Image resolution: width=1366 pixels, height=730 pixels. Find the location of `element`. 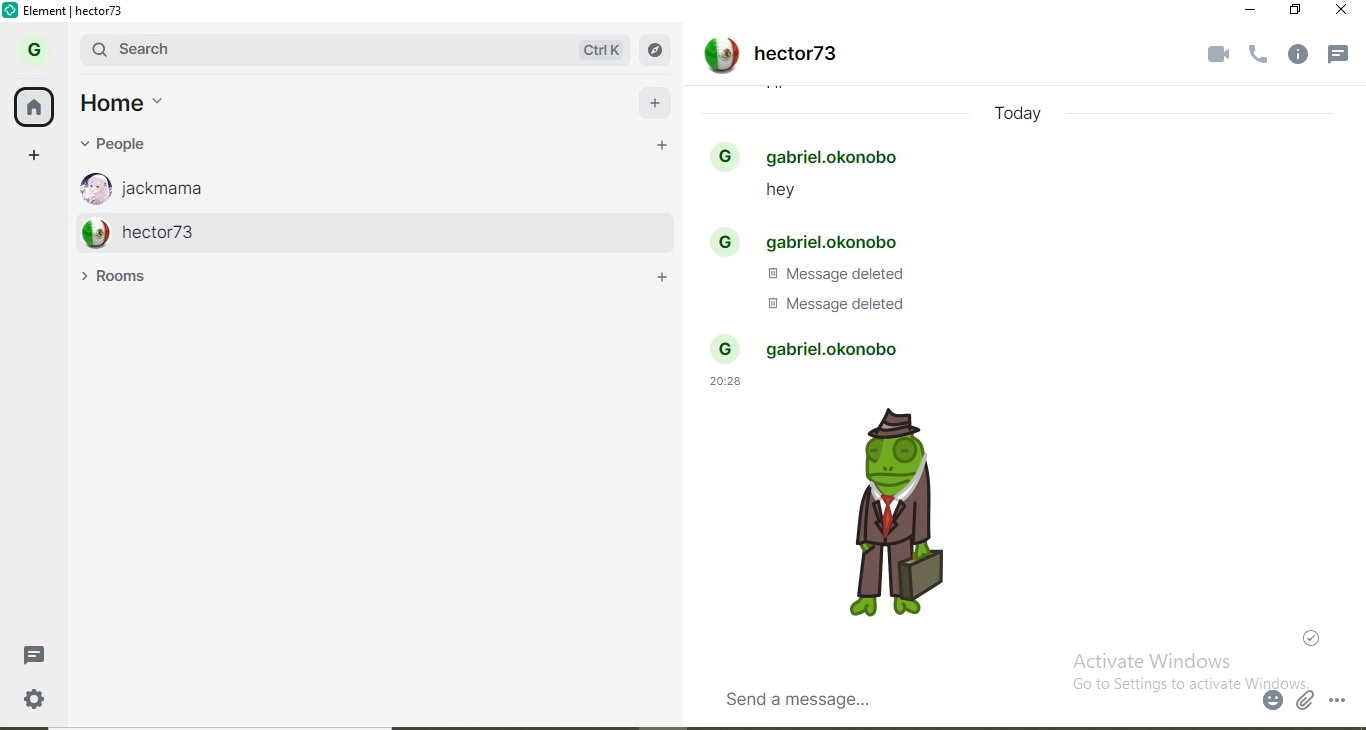

element is located at coordinates (74, 11).